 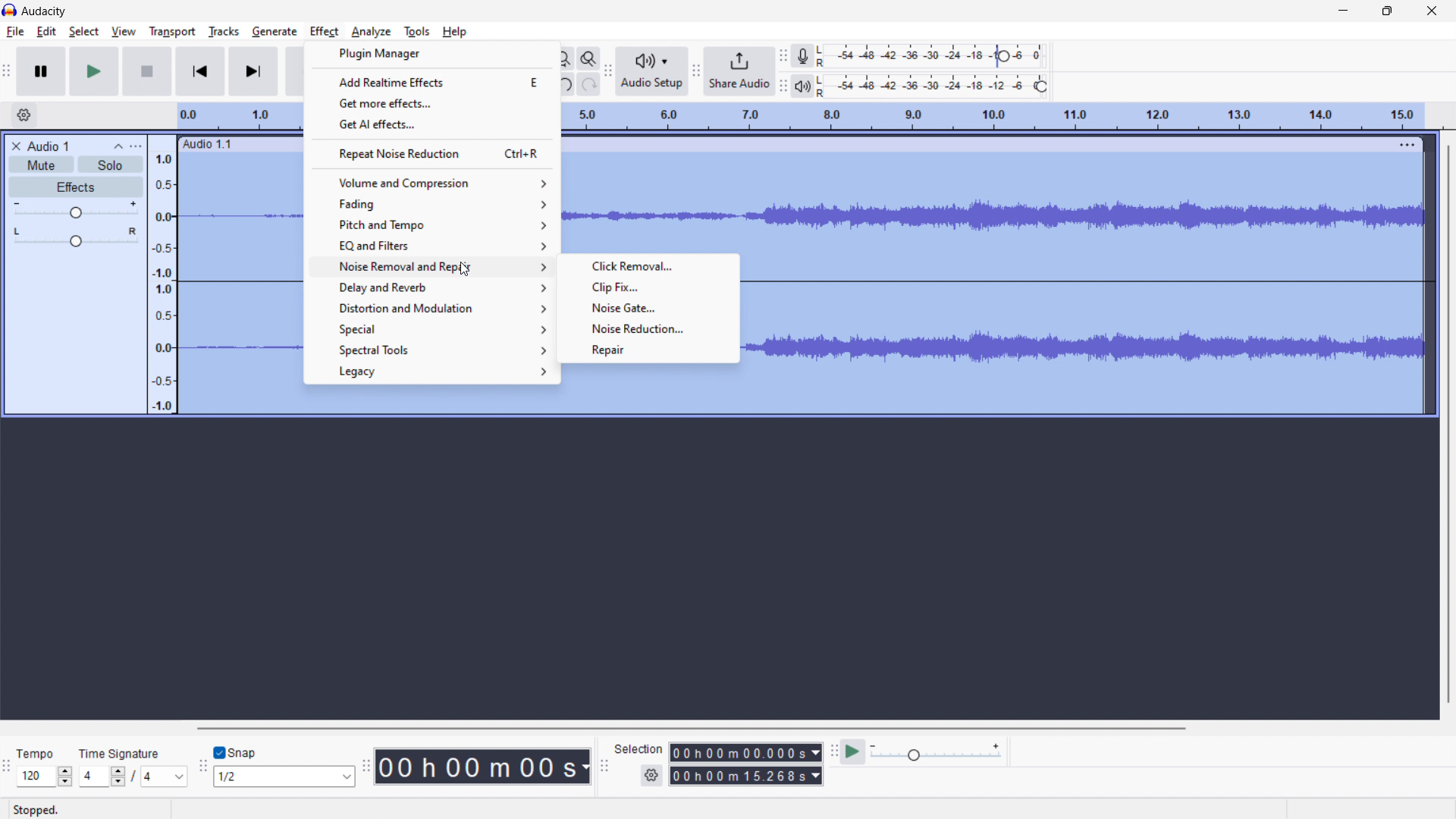 What do you see at coordinates (199, 71) in the screenshot?
I see `skip to start` at bounding box center [199, 71].